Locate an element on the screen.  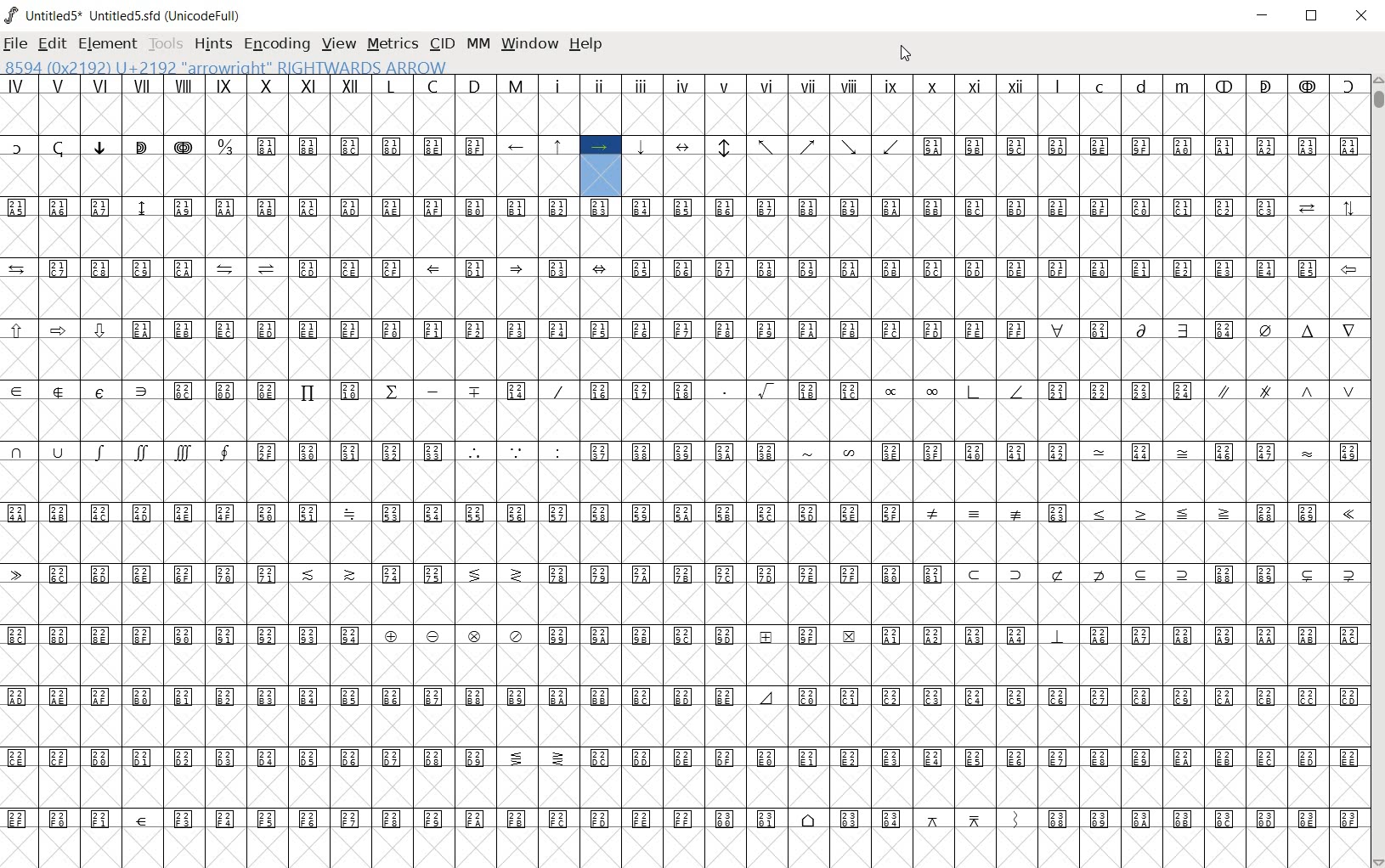
CURSOR is located at coordinates (905, 56).